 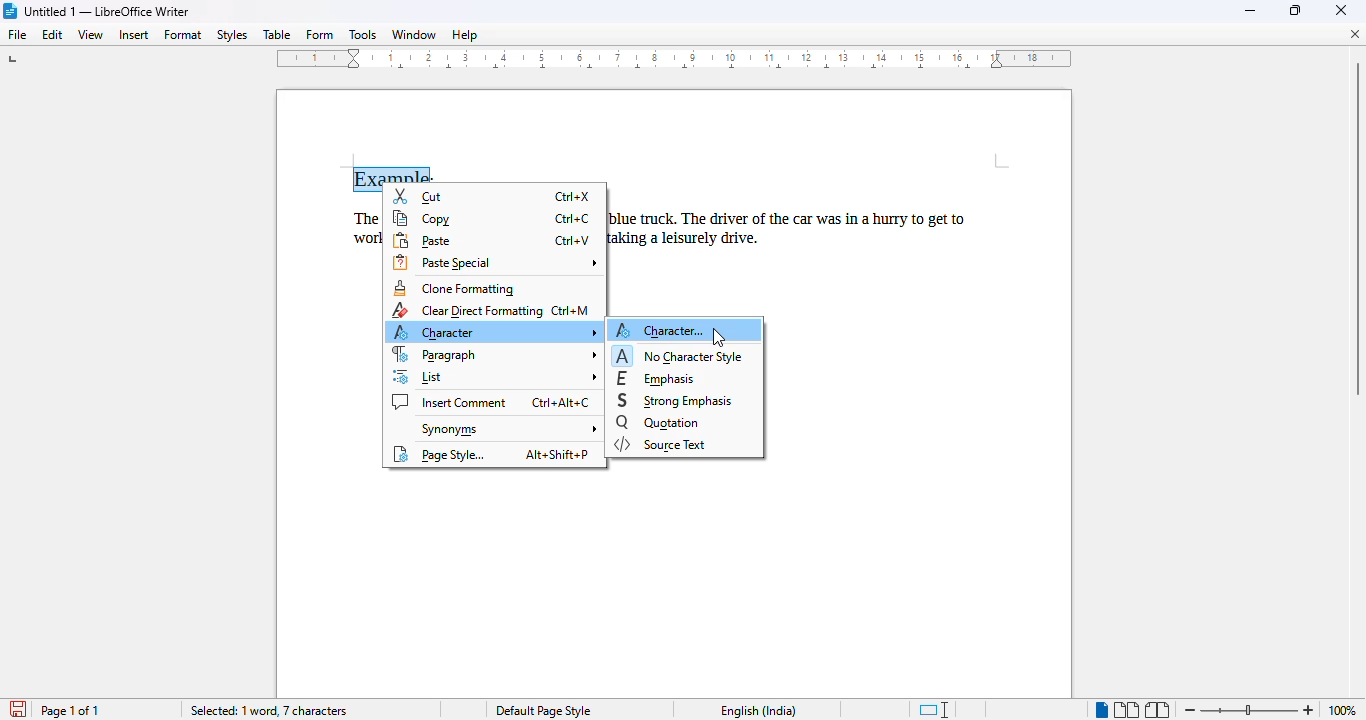 What do you see at coordinates (571, 197) in the screenshot?
I see `Ctrl+X` at bounding box center [571, 197].